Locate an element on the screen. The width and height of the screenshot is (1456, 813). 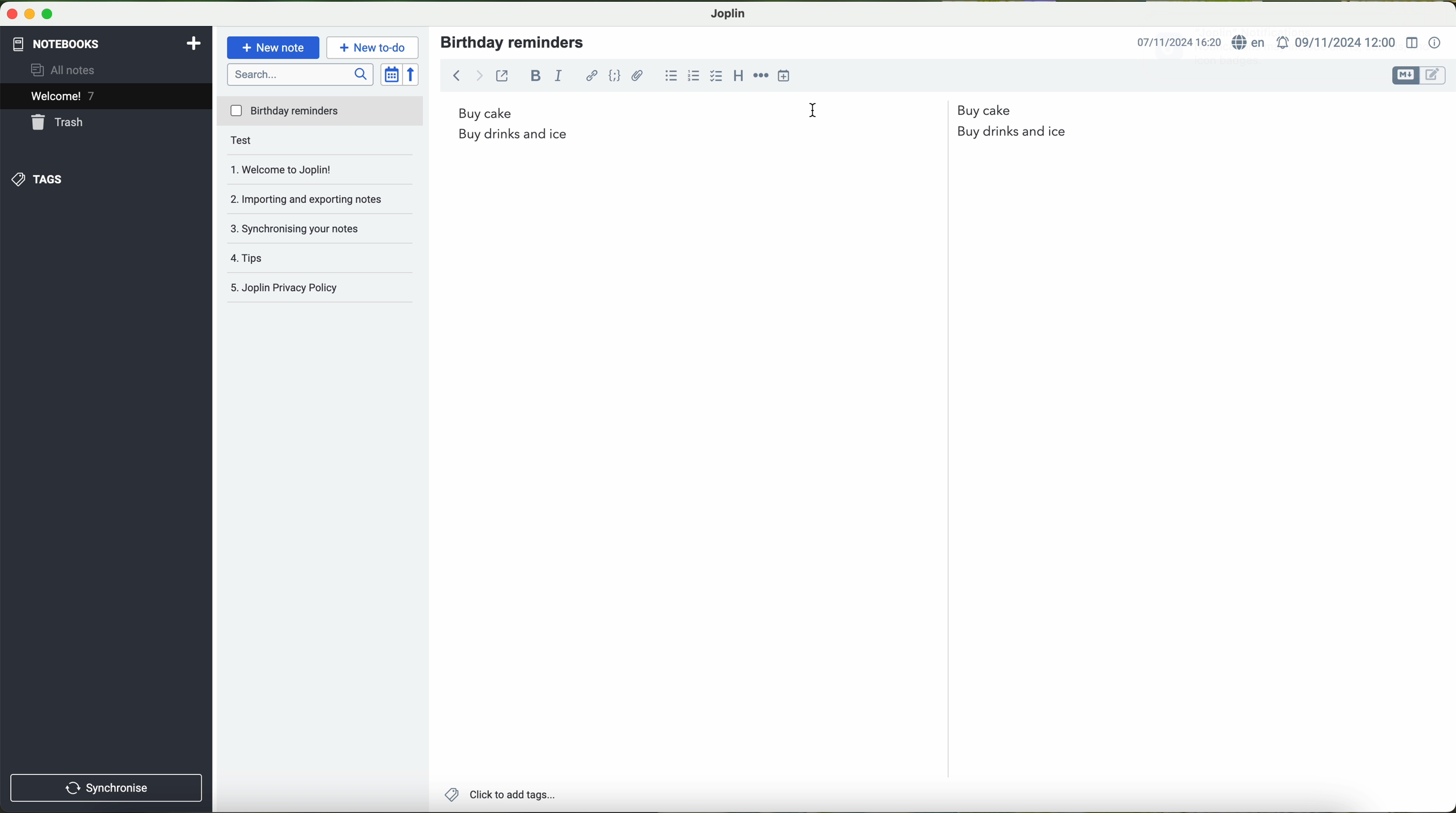
birthday reminders is located at coordinates (515, 42).